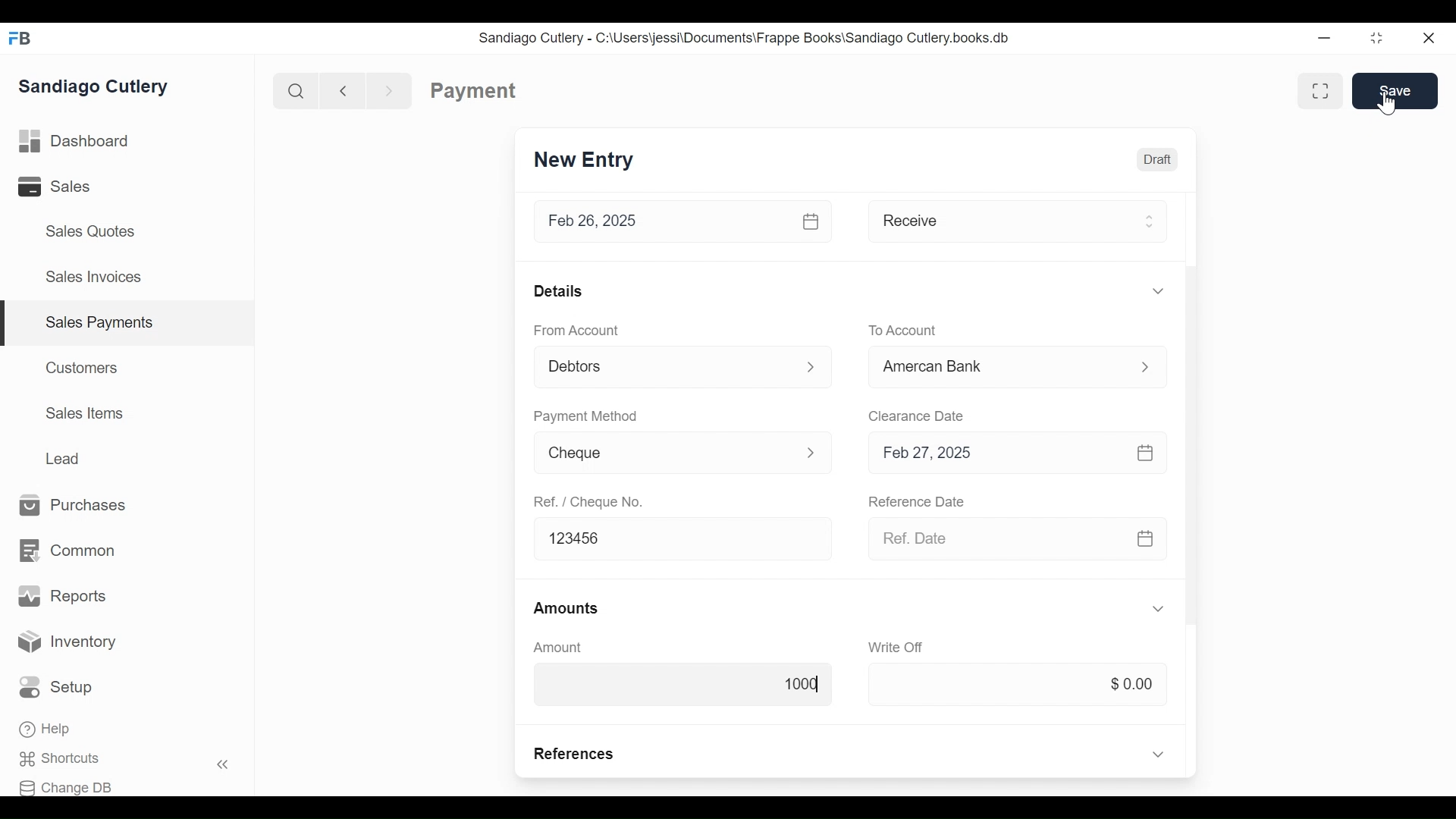 Image resolution: width=1456 pixels, height=819 pixels. Describe the element at coordinates (1376, 39) in the screenshot. I see `Restore` at that location.